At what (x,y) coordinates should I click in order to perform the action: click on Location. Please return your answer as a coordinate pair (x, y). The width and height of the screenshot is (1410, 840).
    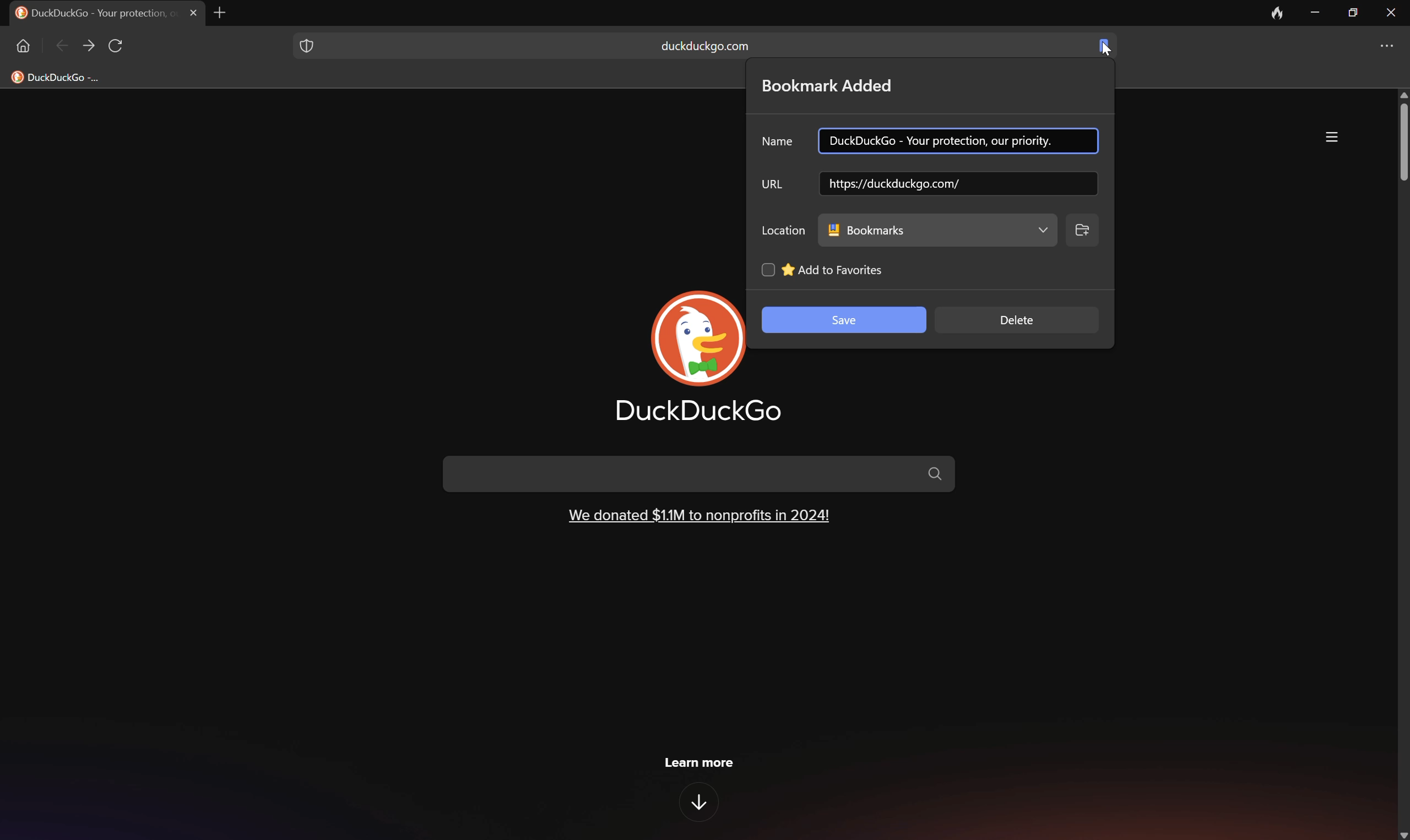
    Looking at the image, I should click on (784, 228).